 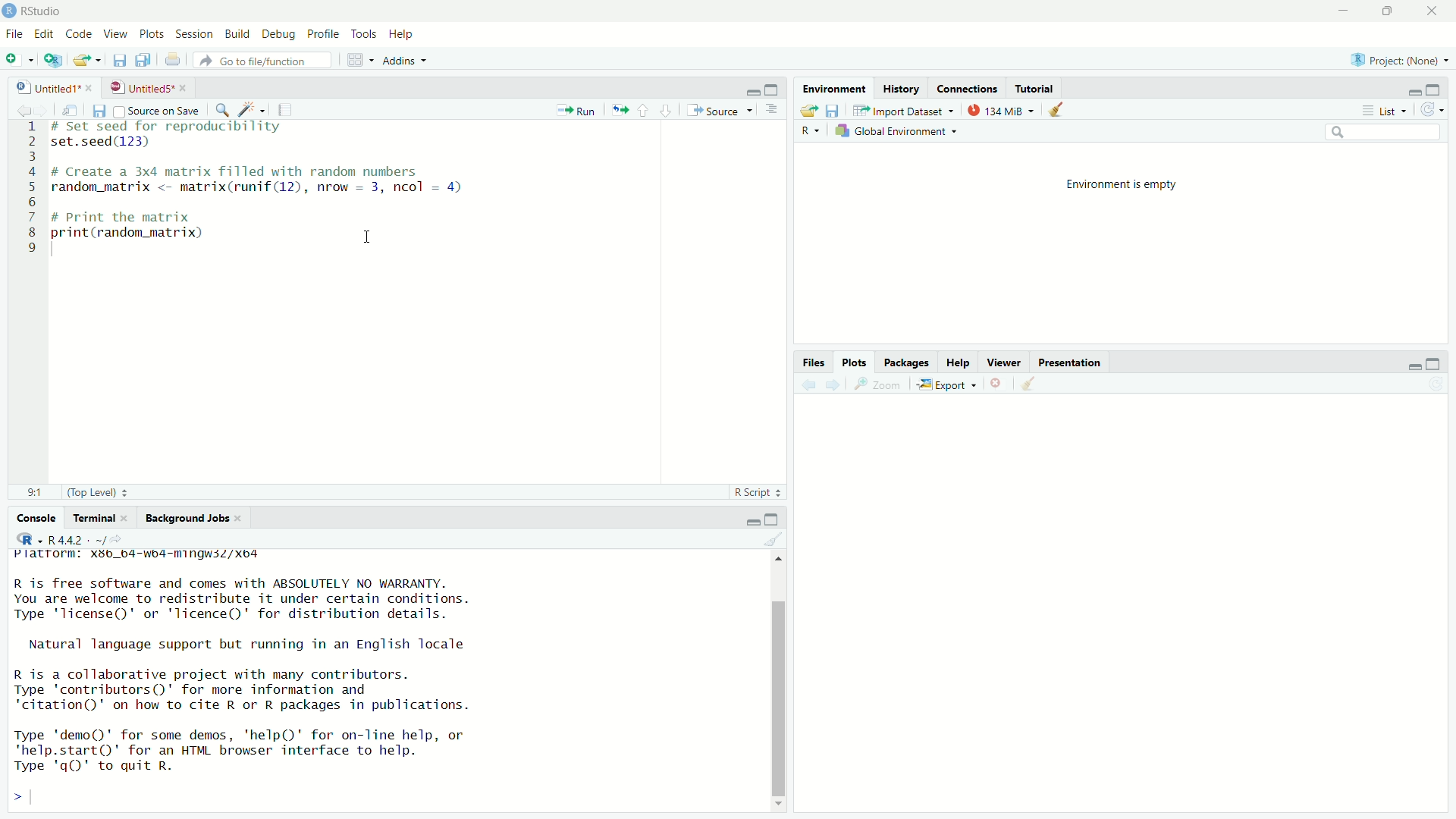 I want to click on rerminal, so click(x=98, y=517).